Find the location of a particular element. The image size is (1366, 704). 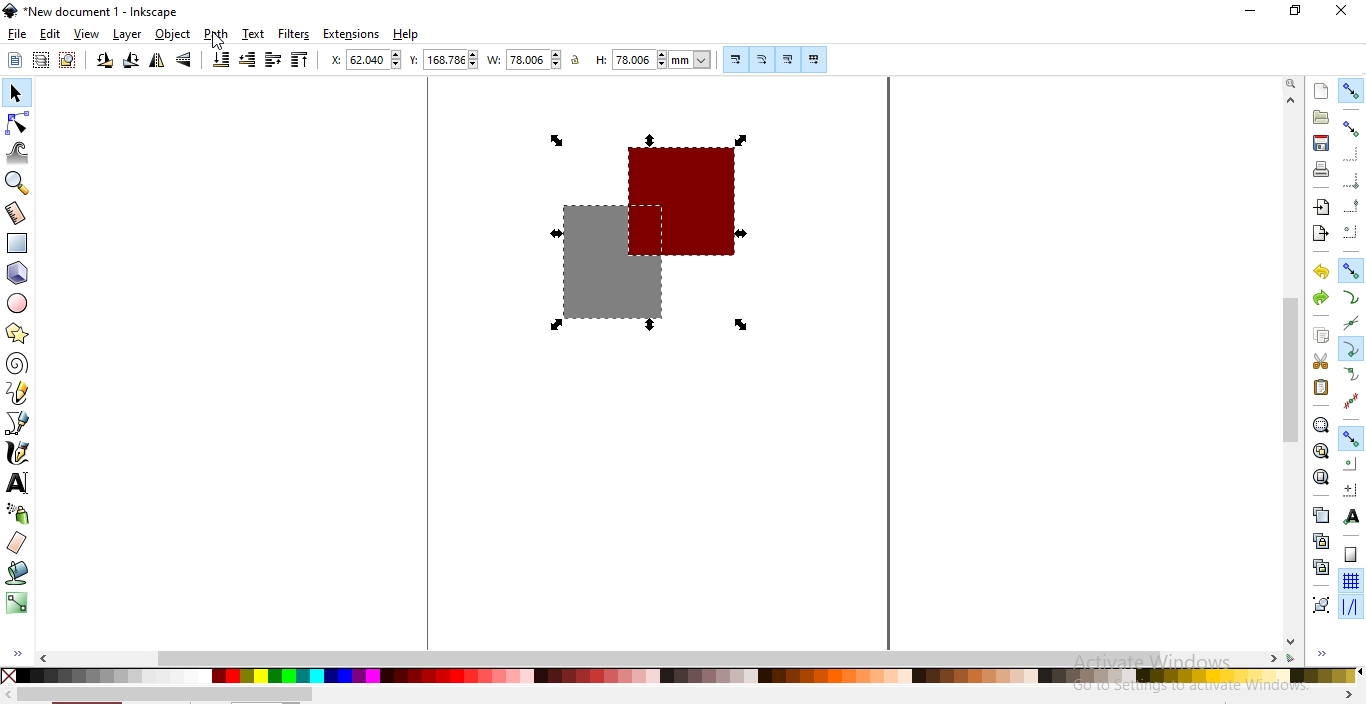

save document is located at coordinates (1319, 143).